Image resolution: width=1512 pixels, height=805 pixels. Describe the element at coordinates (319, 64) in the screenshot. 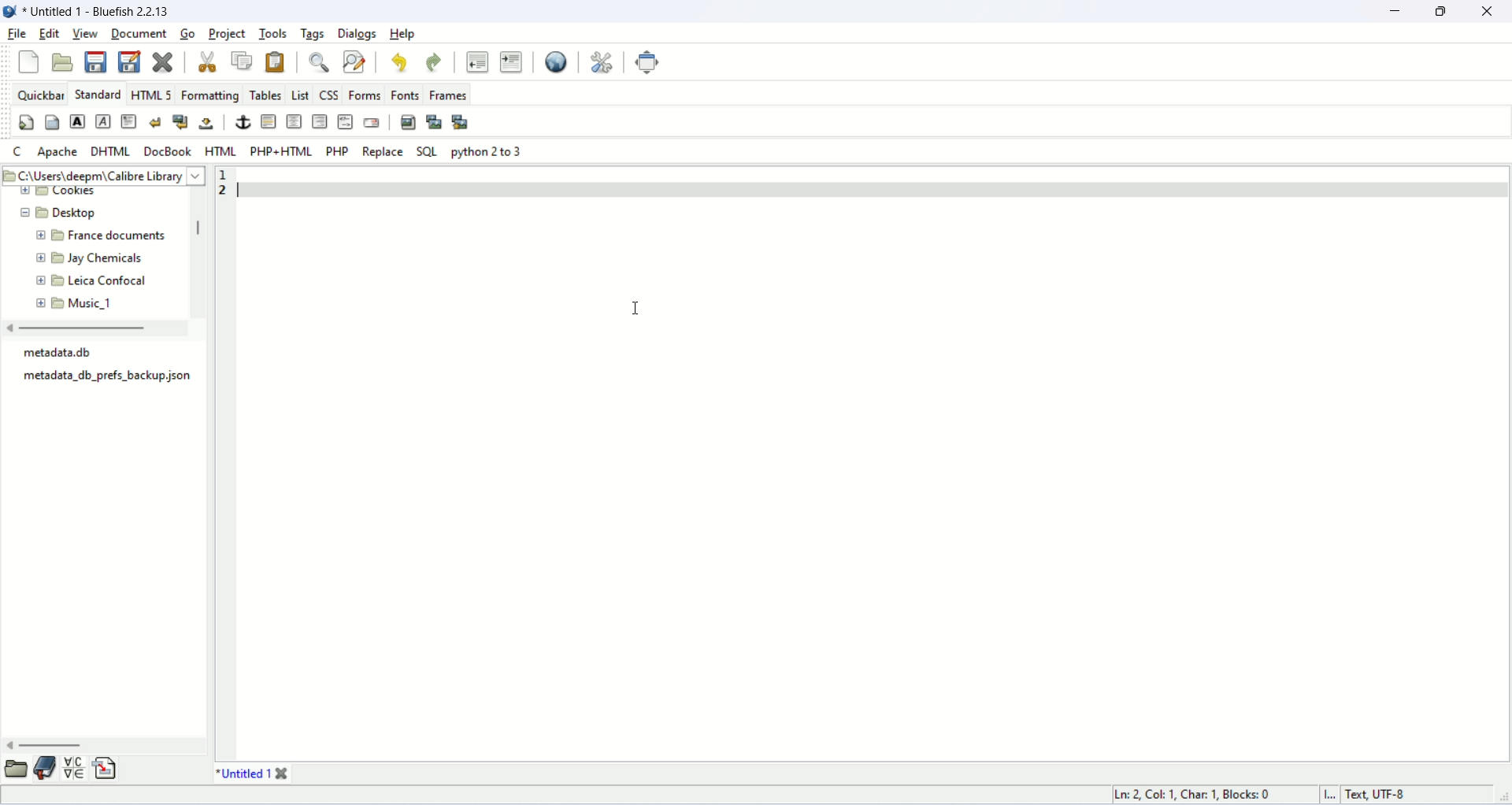

I see `find` at that location.